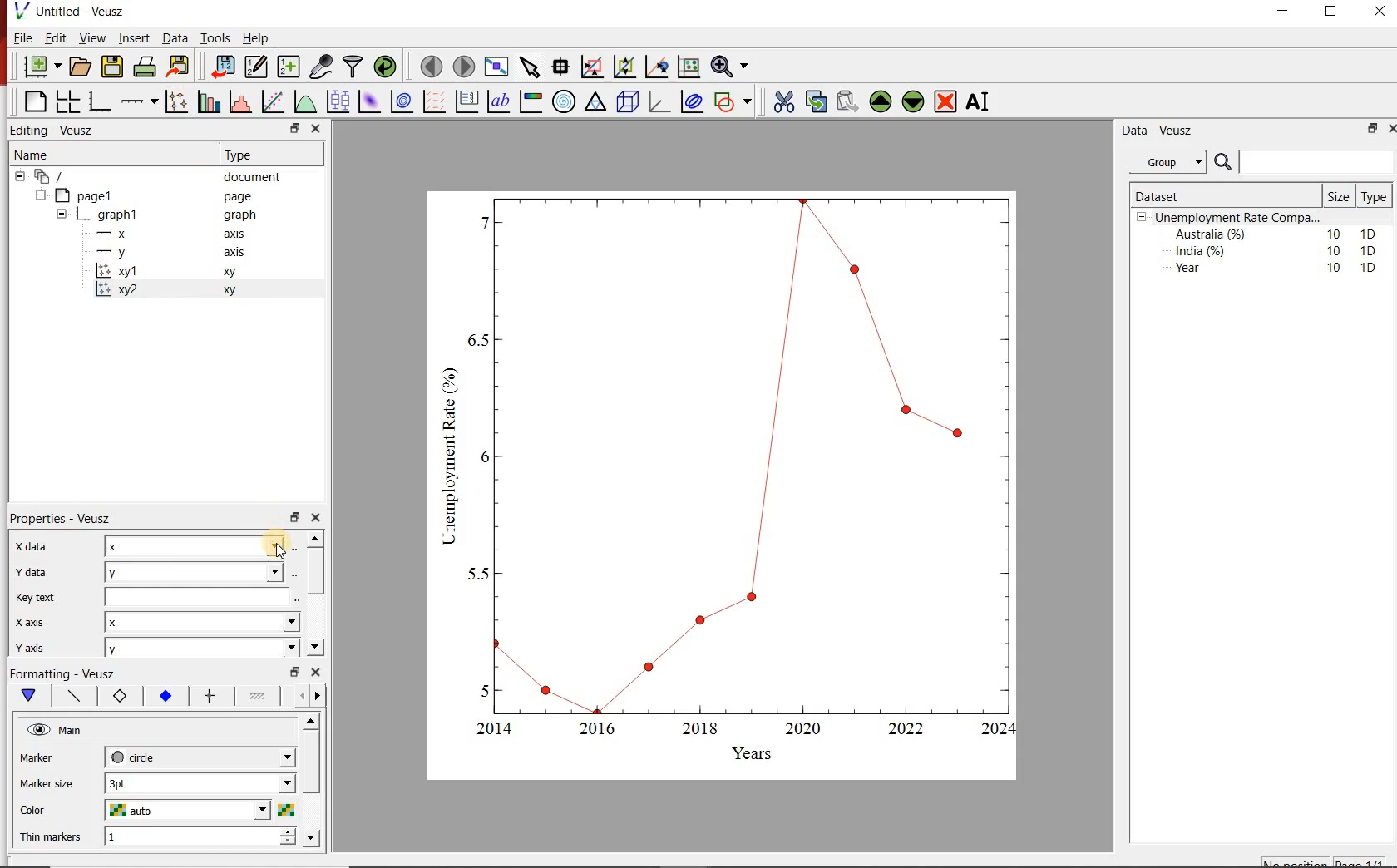 The width and height of the screenshot is (1397, 868). What do you see at coordinates (1239, 218) in the screenshot?
I see `Unemployment Rate Compa...` at bounding box center [1239, 218].